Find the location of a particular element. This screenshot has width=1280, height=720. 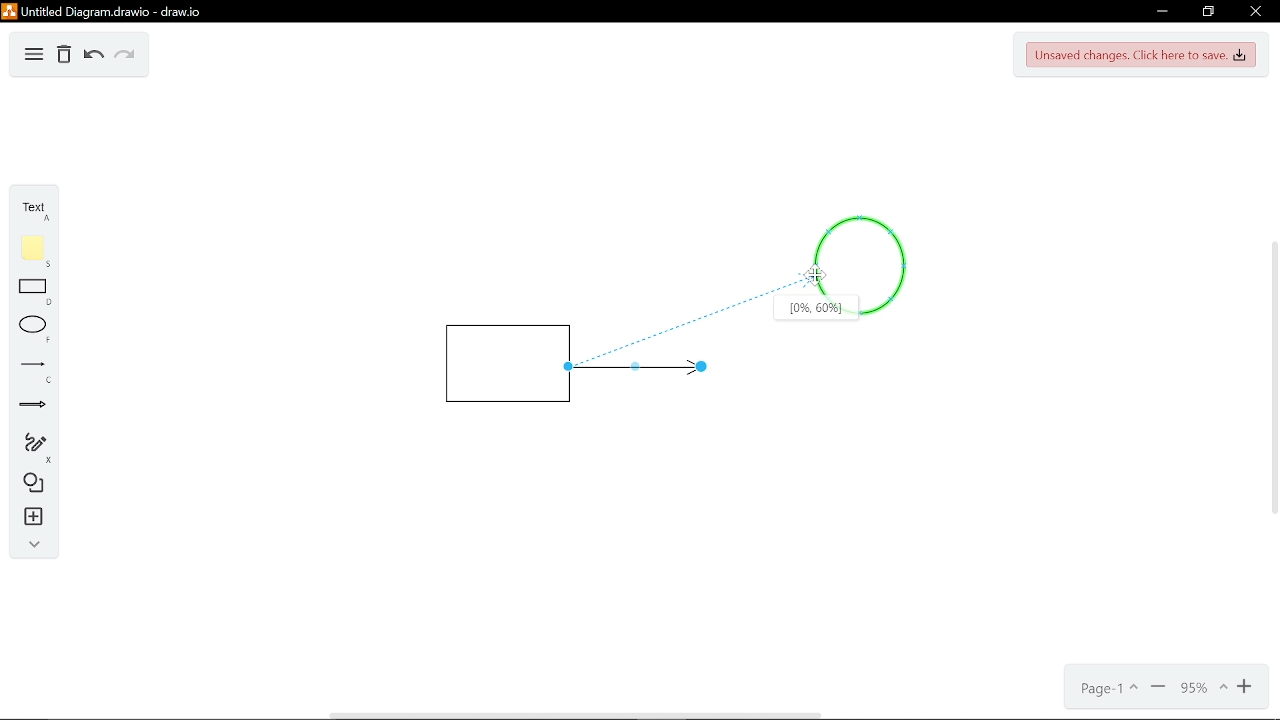

Delete is located at coordinates (64, 56).